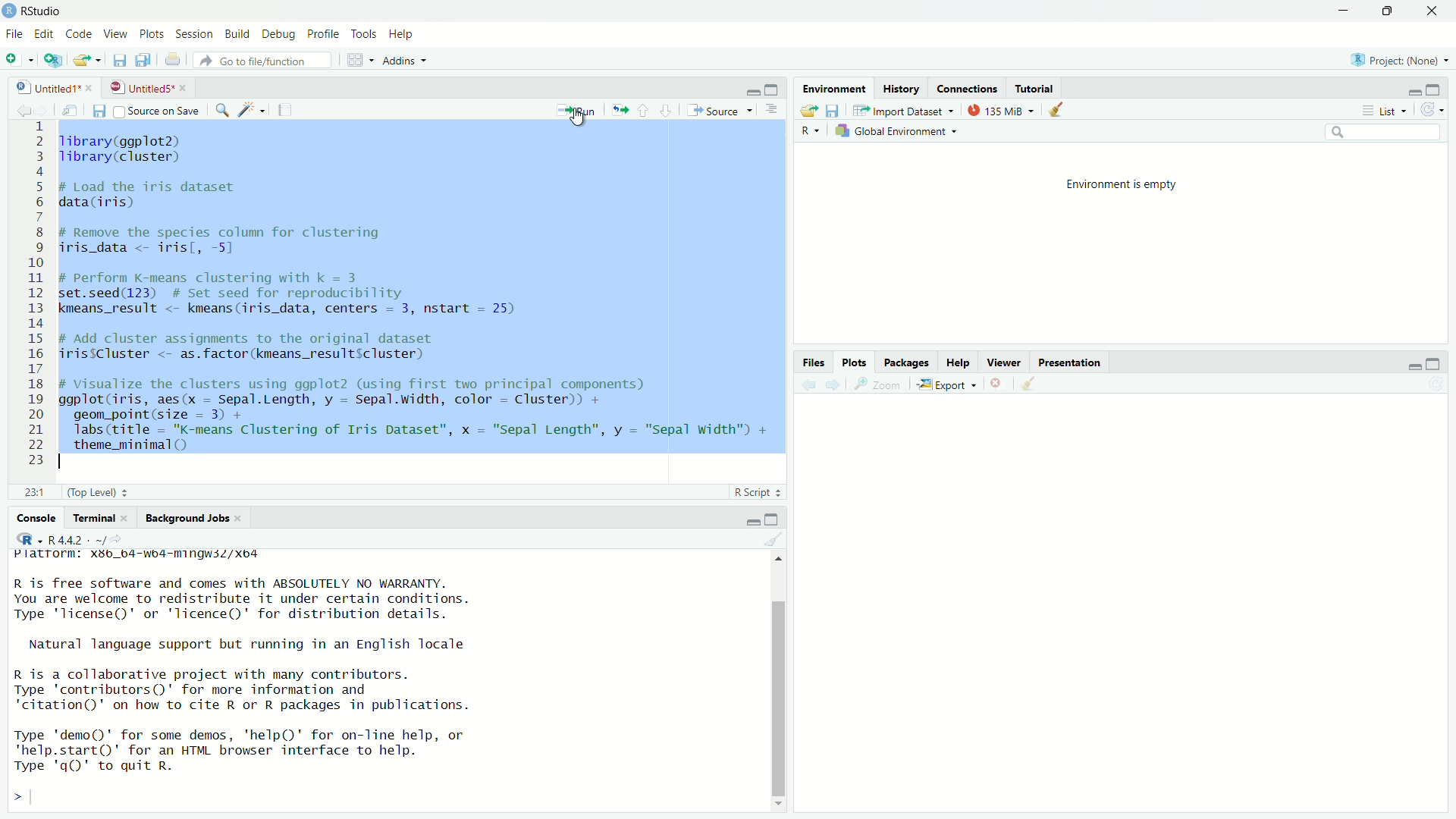 This screenshot has width=1456, height=819. I want to click on maximize, so click(777, 88).